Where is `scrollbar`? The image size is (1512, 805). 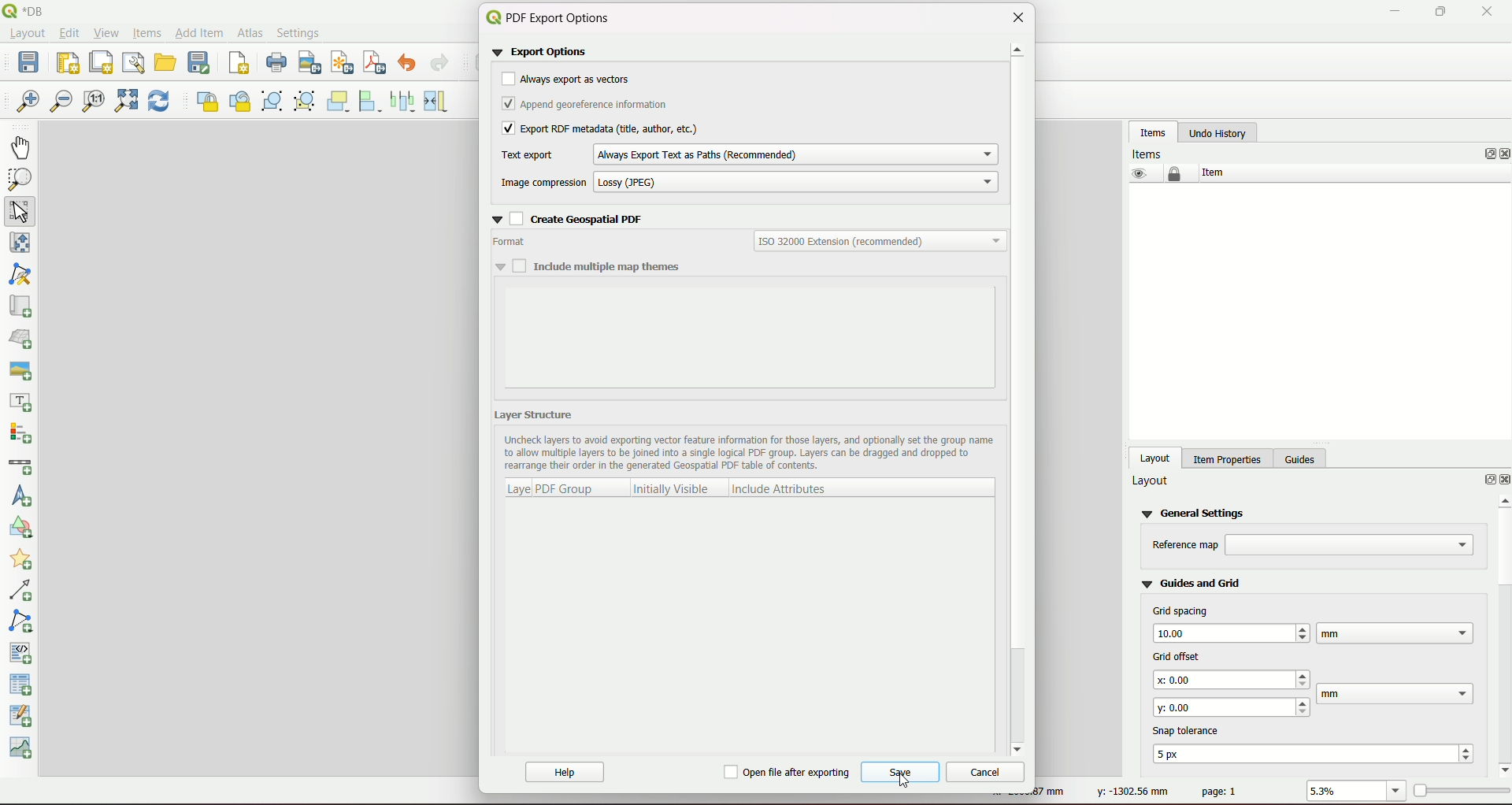
scrollbar is located at coordinates (1501, 633).